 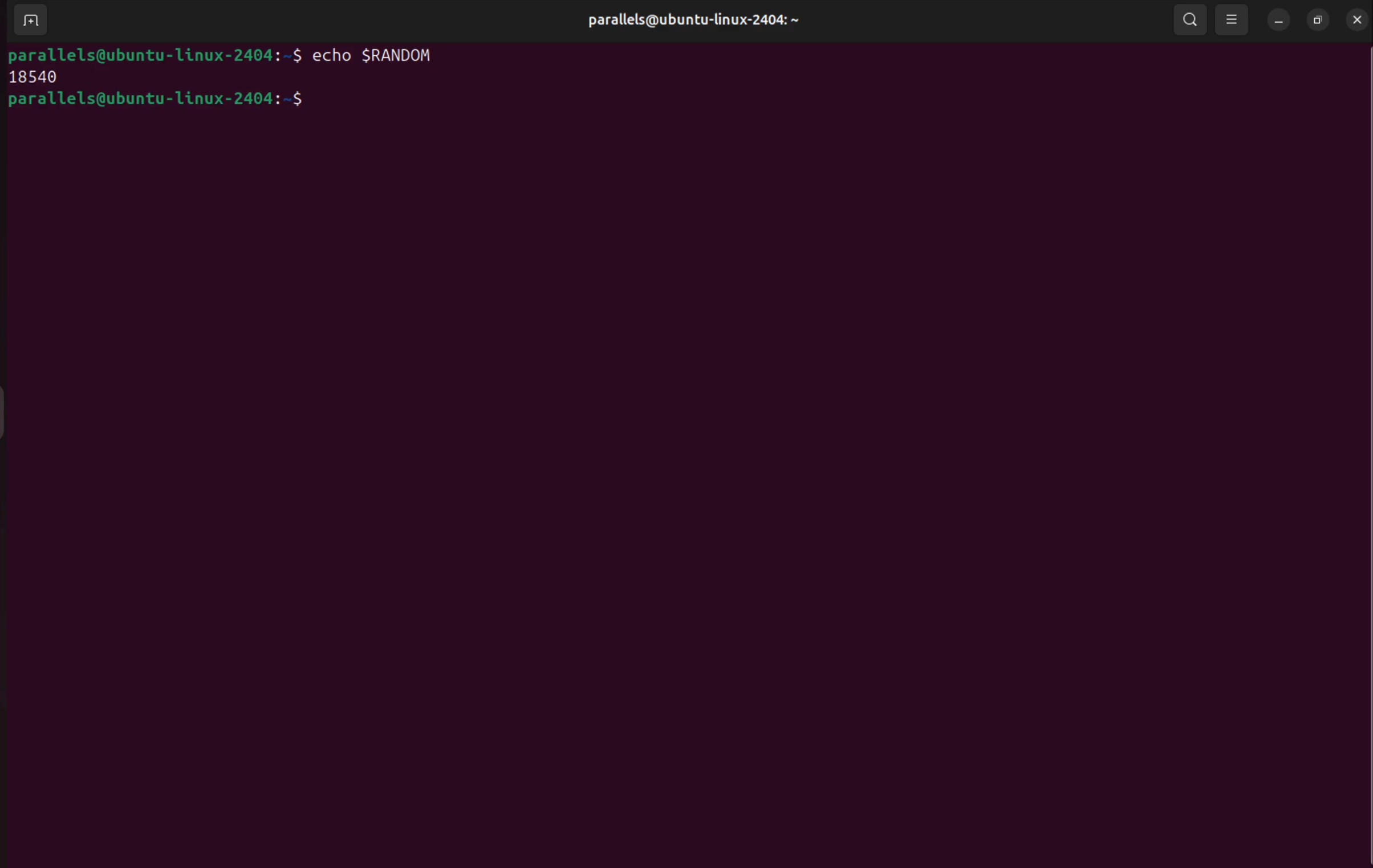 I want to click on 18450, so click(x=39, y=79).